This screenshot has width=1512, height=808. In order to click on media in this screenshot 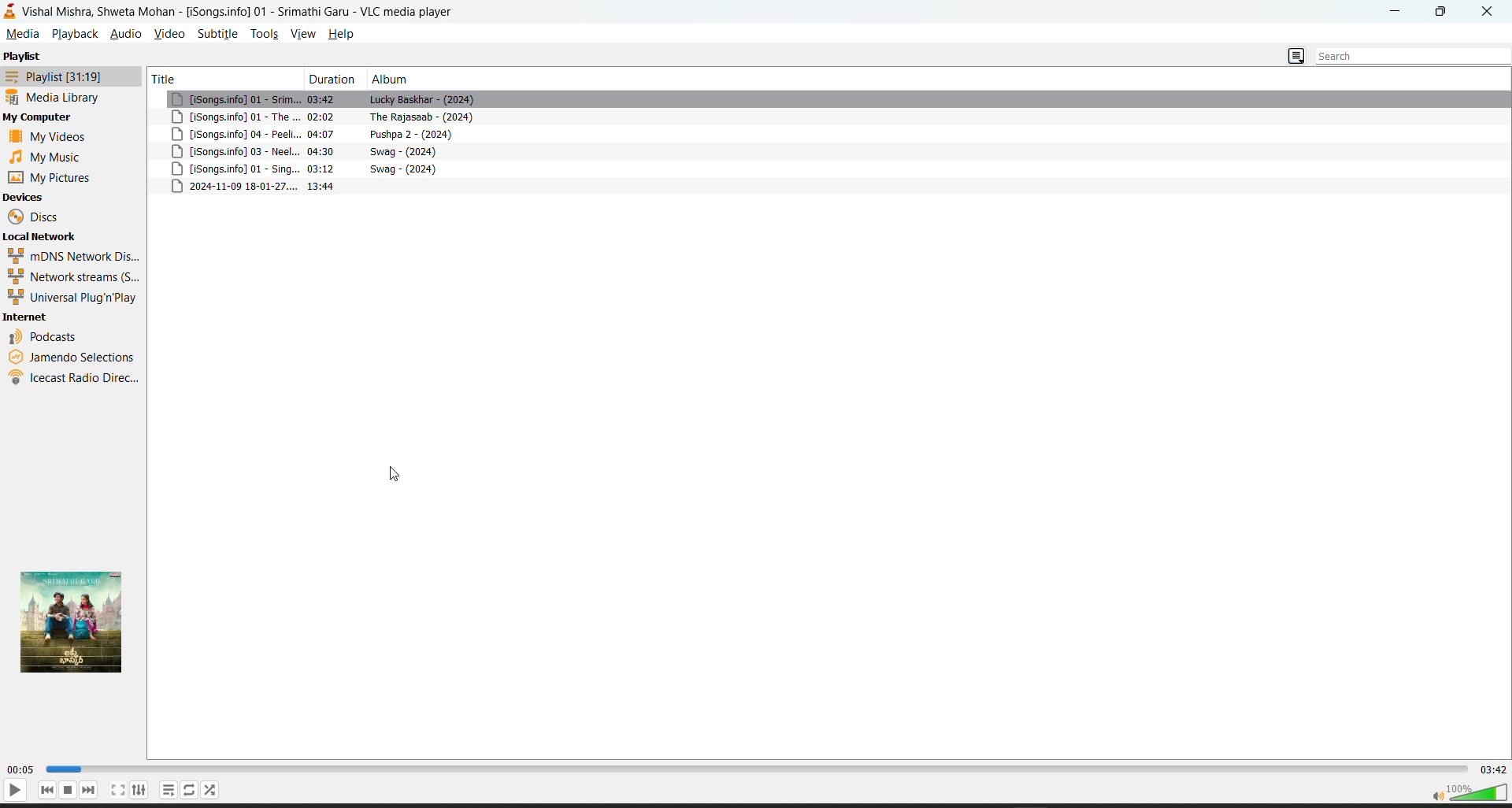, I will do `click(22, 34)`.